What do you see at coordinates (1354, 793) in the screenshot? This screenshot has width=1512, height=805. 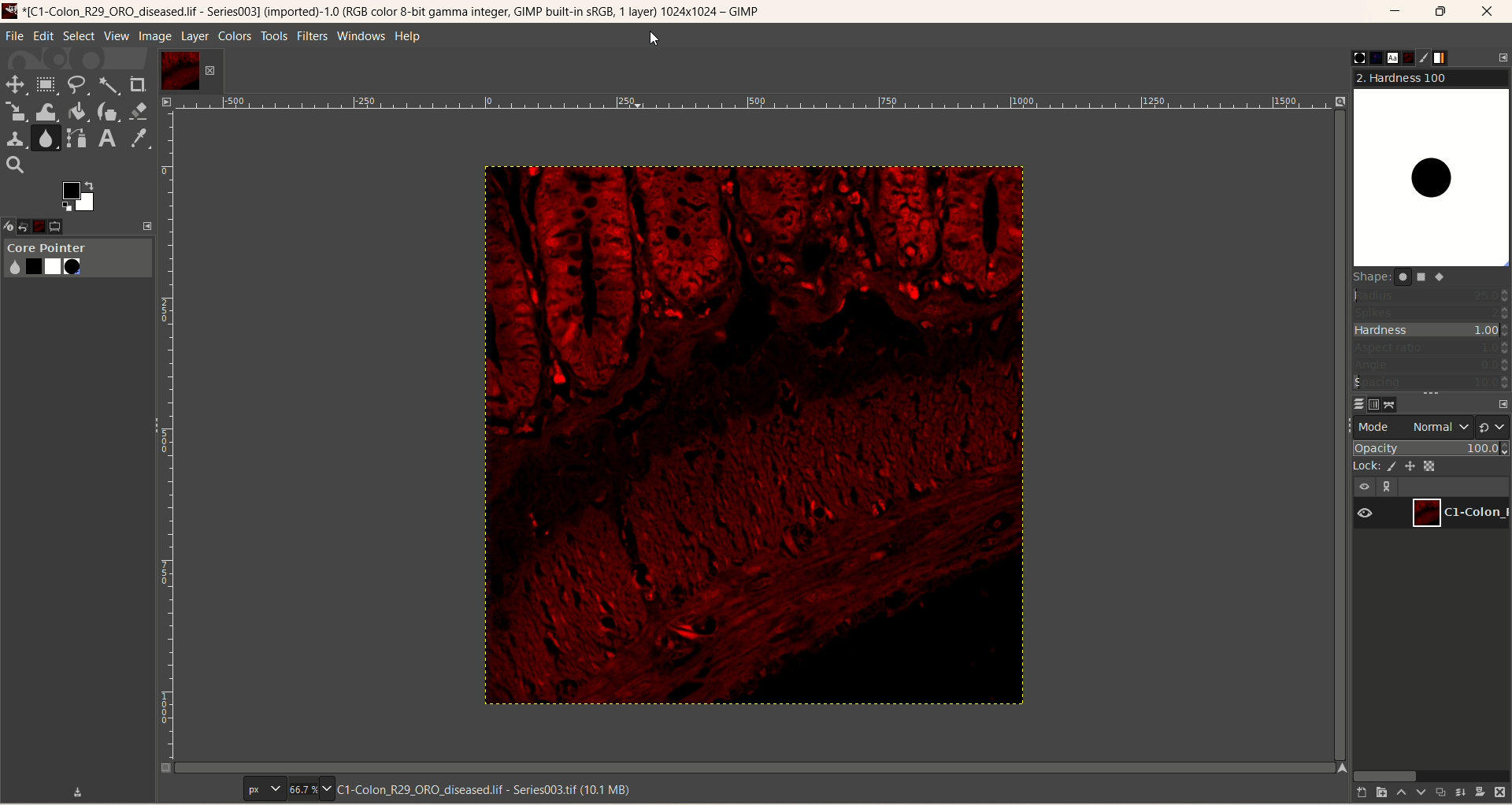 I see `create a new layer with last used values` at bounding box center [1354, 793].